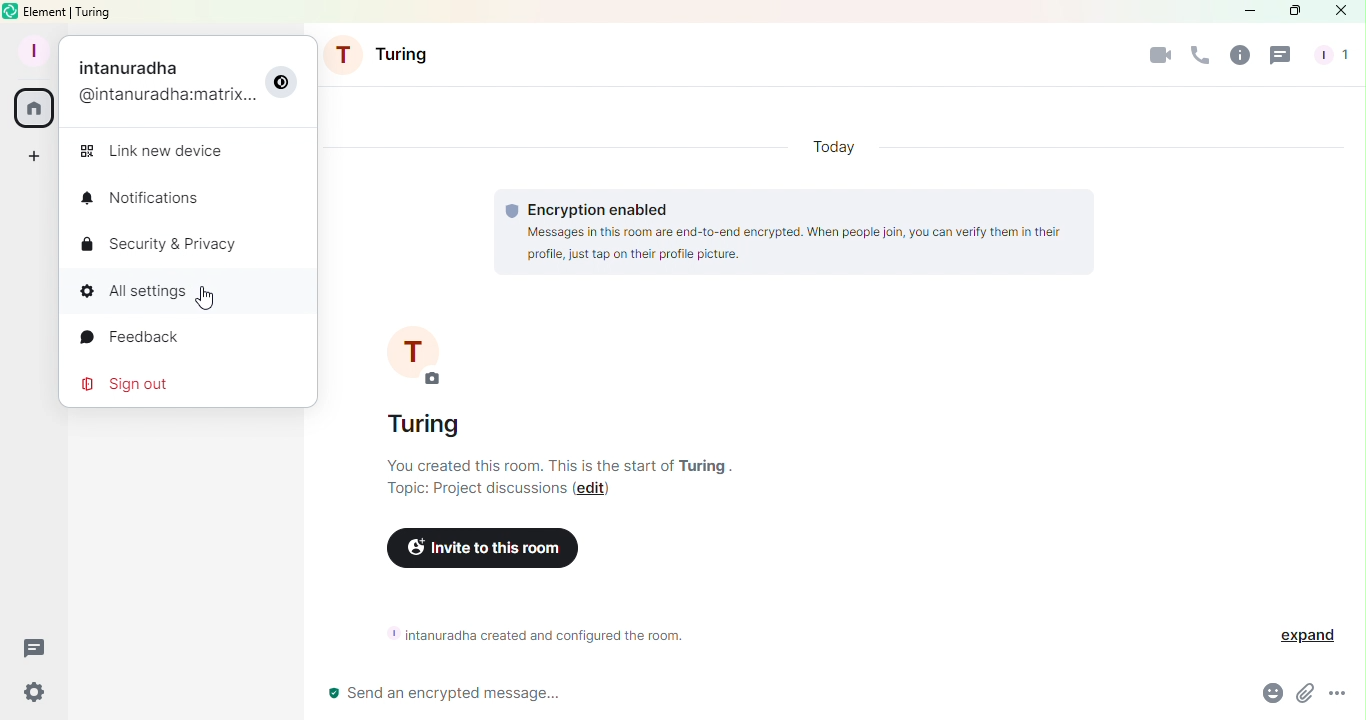 This screenshot has width=1366, height=720. Describe the element at coordinates (141, 337) in the screenshot. I see `Feedback` at that location.